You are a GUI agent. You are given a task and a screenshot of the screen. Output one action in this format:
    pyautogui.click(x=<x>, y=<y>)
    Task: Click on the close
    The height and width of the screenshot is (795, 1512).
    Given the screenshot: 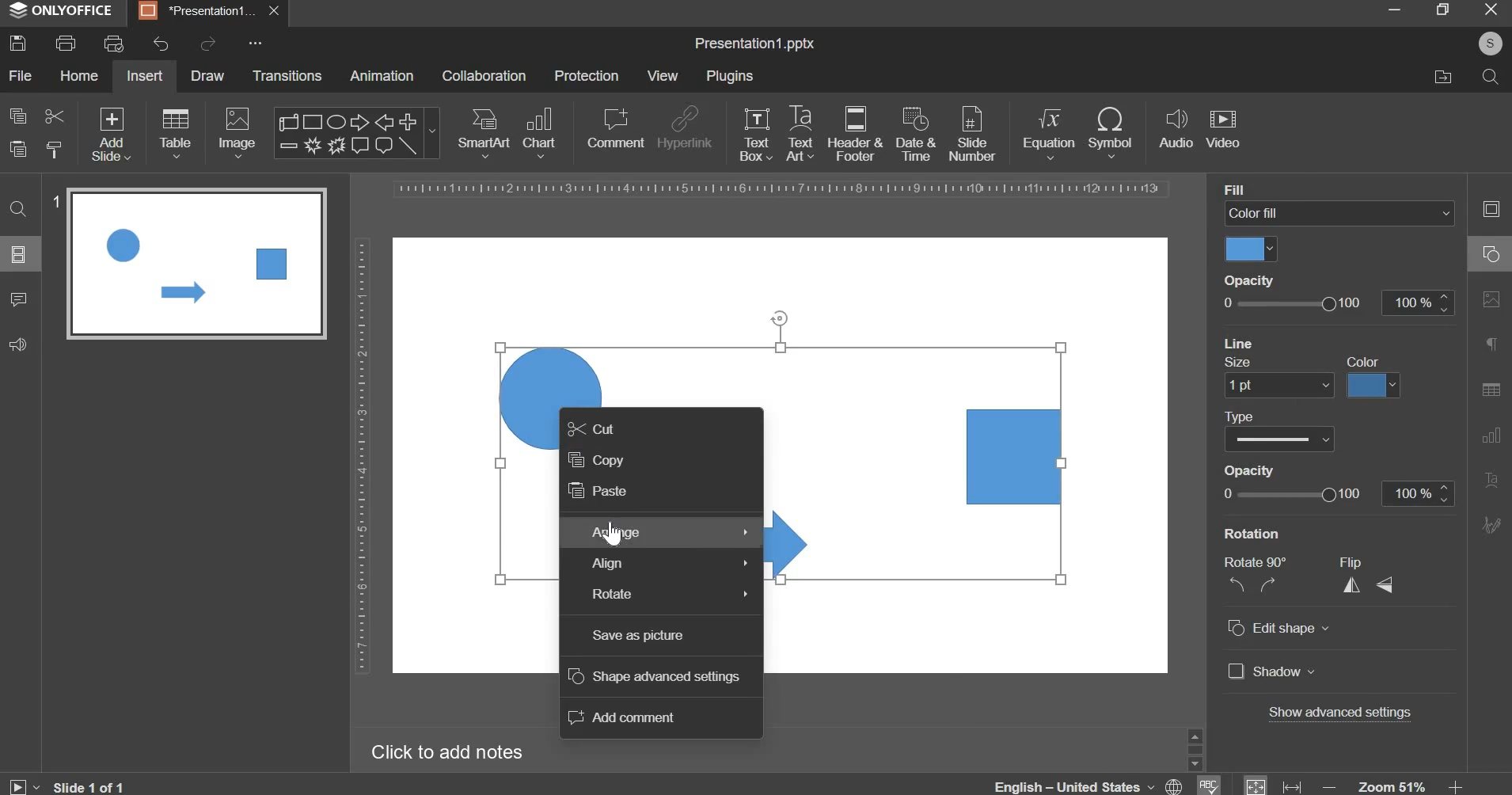 What is the action you would take?
    pyautogui.click(x=276, y=11)
    